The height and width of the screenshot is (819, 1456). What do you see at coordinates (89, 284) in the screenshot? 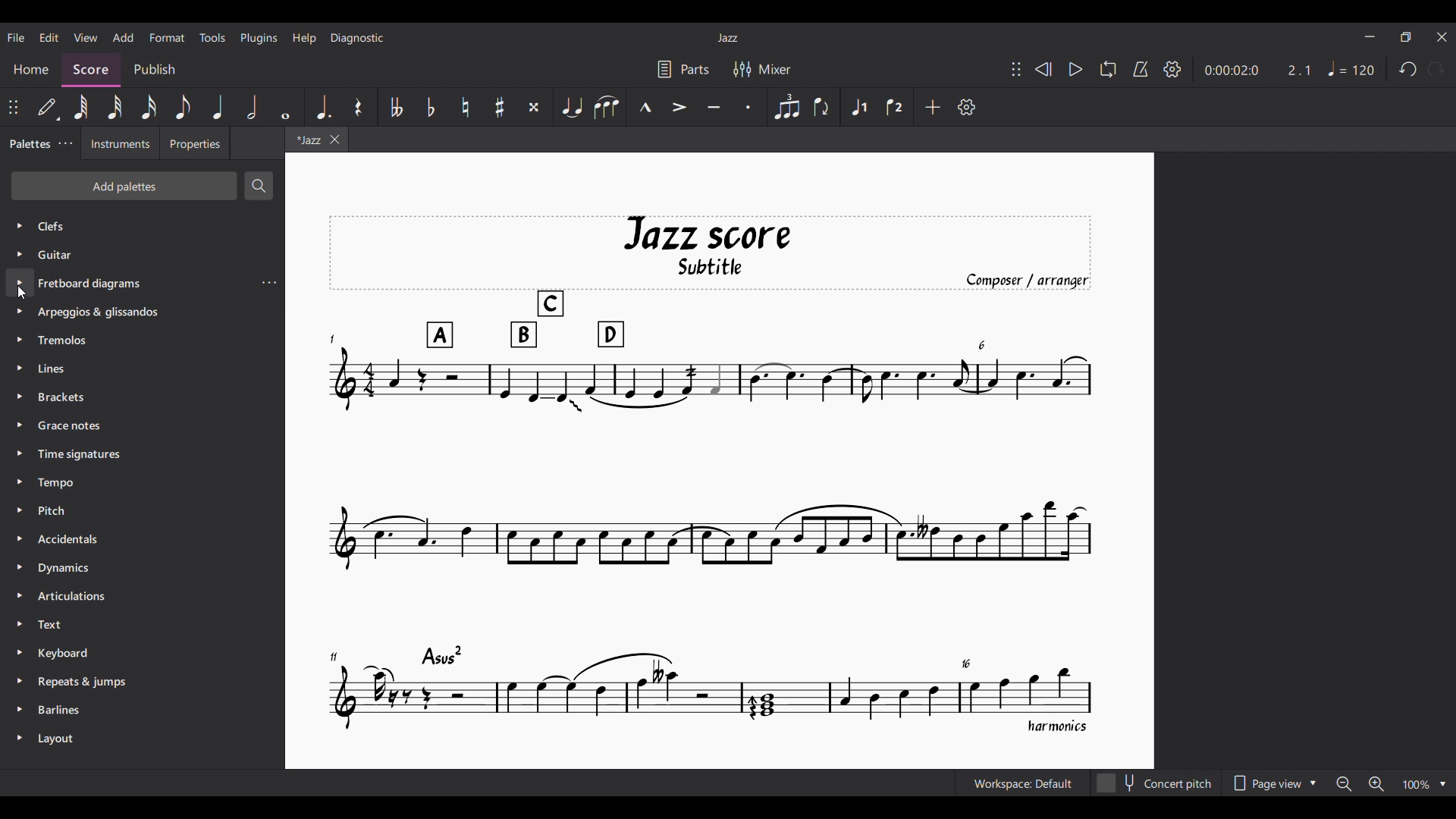
I see `Fretboard` at bounding box center [89, 284].